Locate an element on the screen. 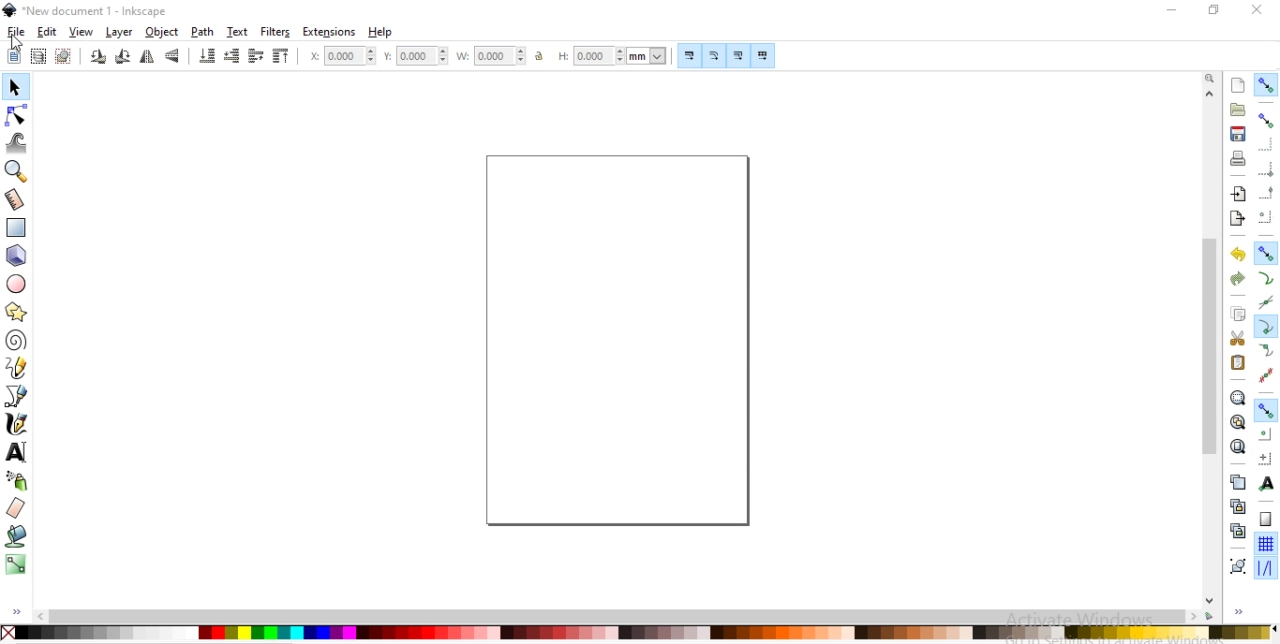  zoom to fit selection is located at coordinates (1237, 398).